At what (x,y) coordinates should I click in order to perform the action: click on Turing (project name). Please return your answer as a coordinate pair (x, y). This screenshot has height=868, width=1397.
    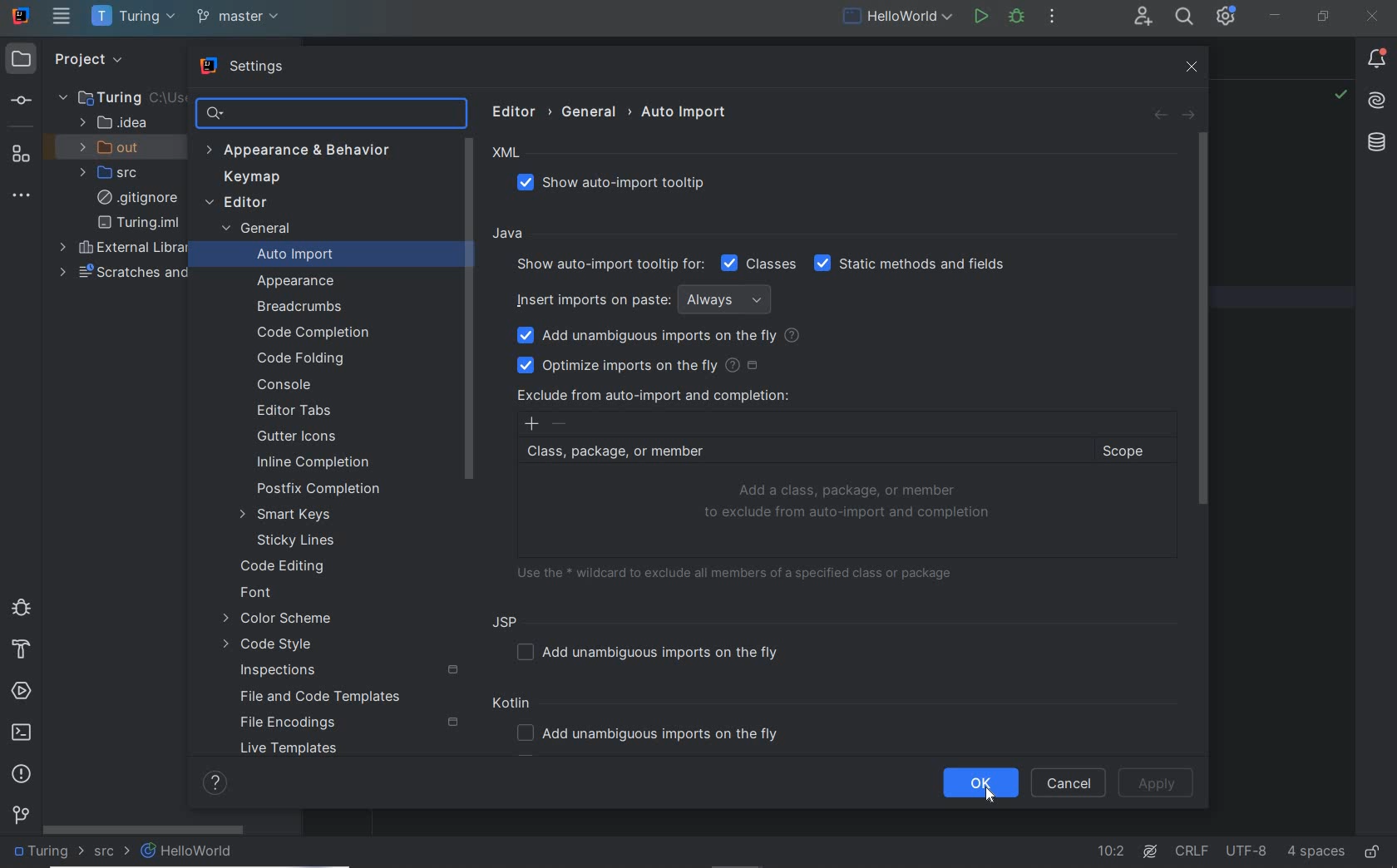
    Looking at the image, I should click on (48, 854).